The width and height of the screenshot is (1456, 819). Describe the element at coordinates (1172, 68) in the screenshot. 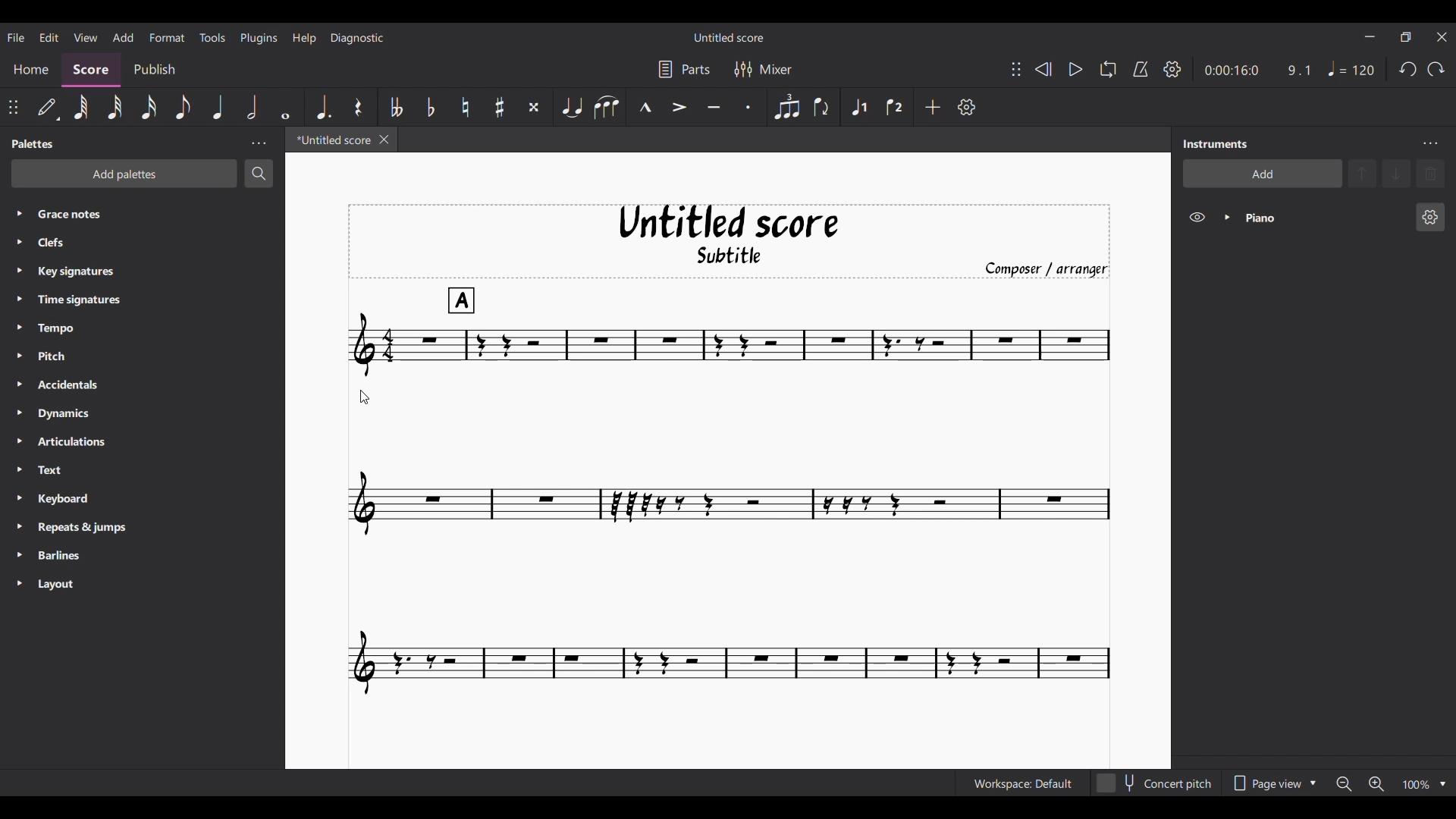

I see `Playback settings` at that location.